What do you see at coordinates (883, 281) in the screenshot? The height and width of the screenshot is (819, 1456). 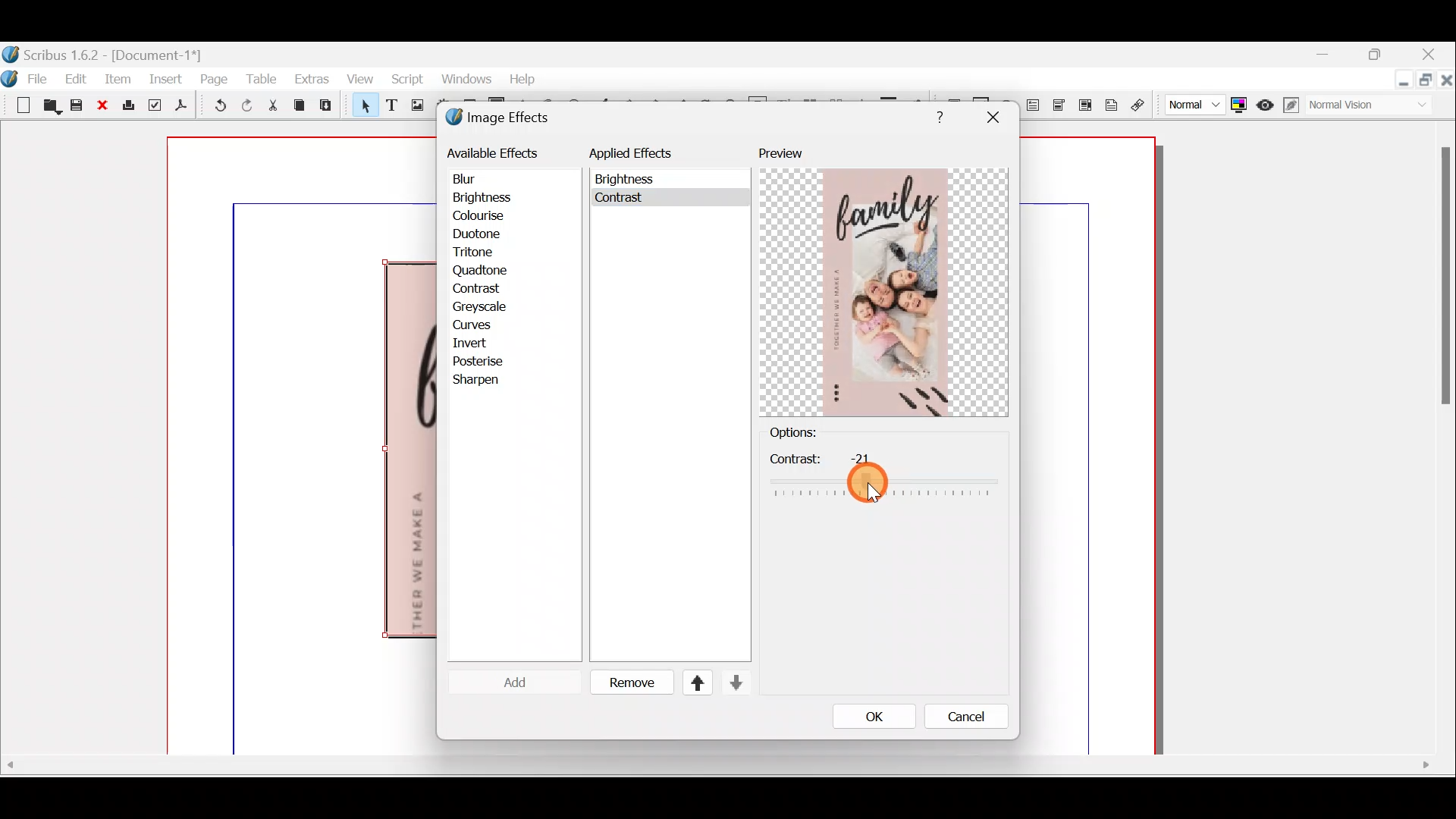 I see `Preview` at bounding box center [883, 281].